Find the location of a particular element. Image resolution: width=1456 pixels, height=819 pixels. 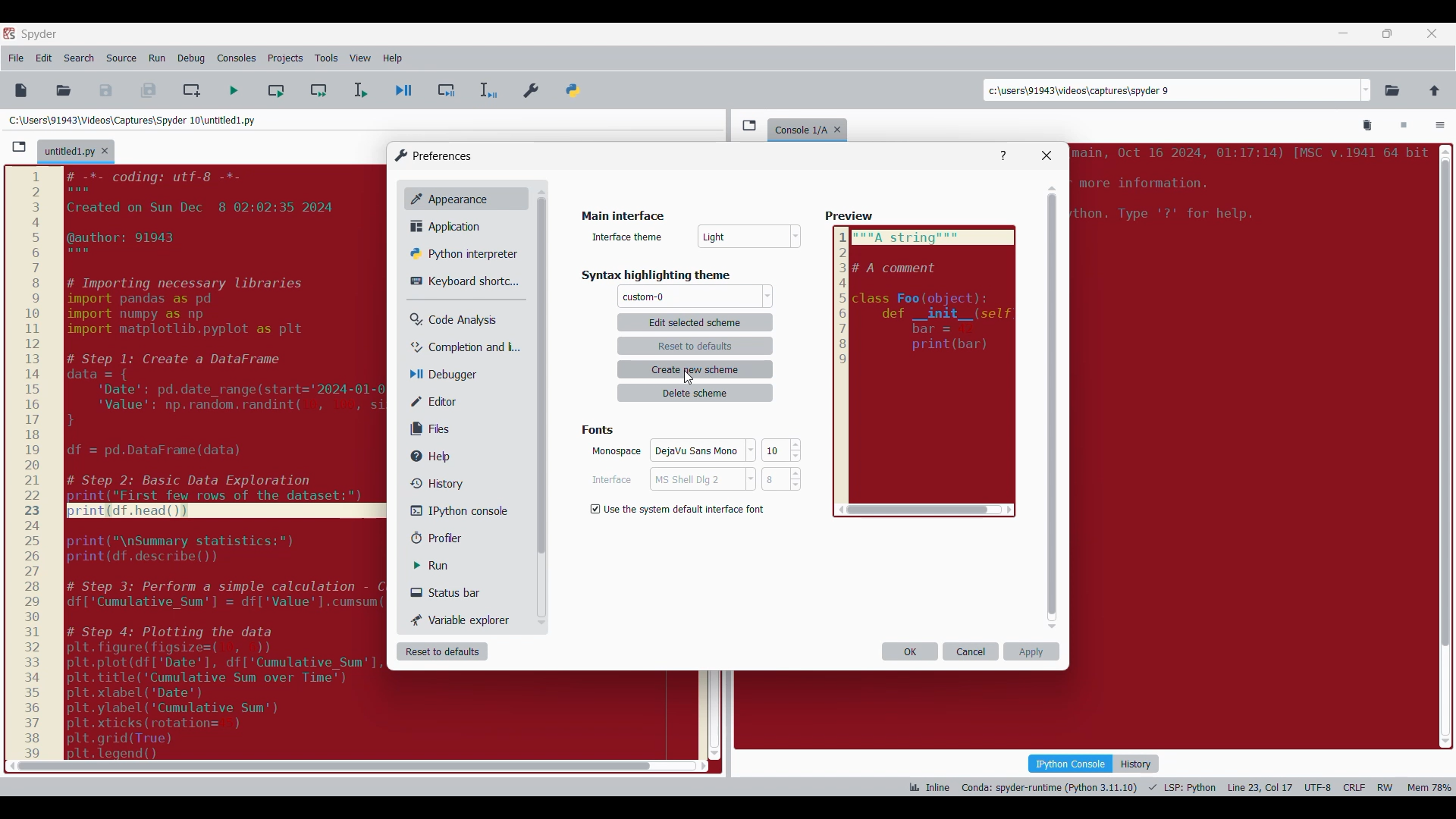

Indicates monospace setting is located at coordinates (616, 451).